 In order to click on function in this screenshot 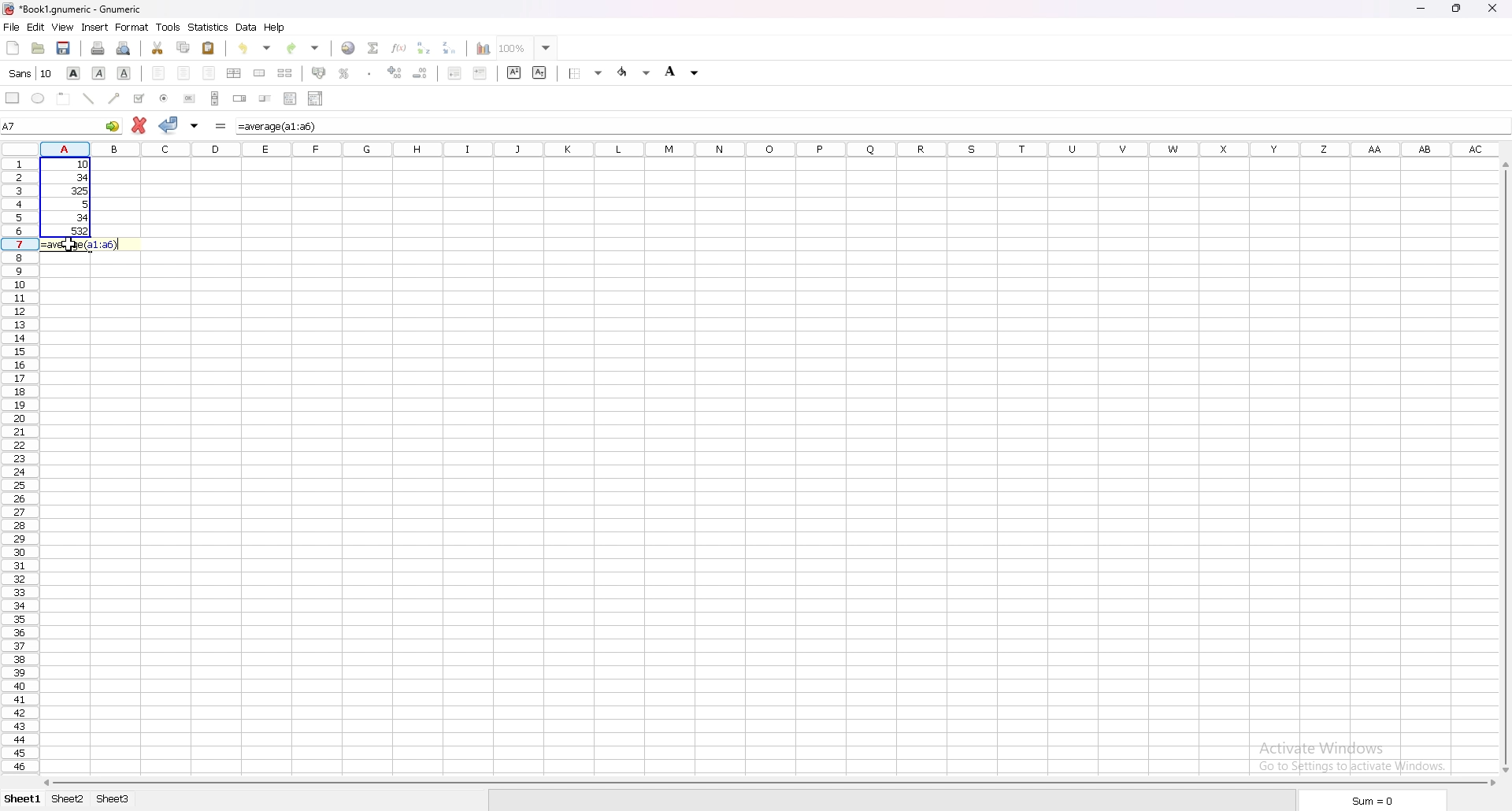, I will do `click(400, 48)`.